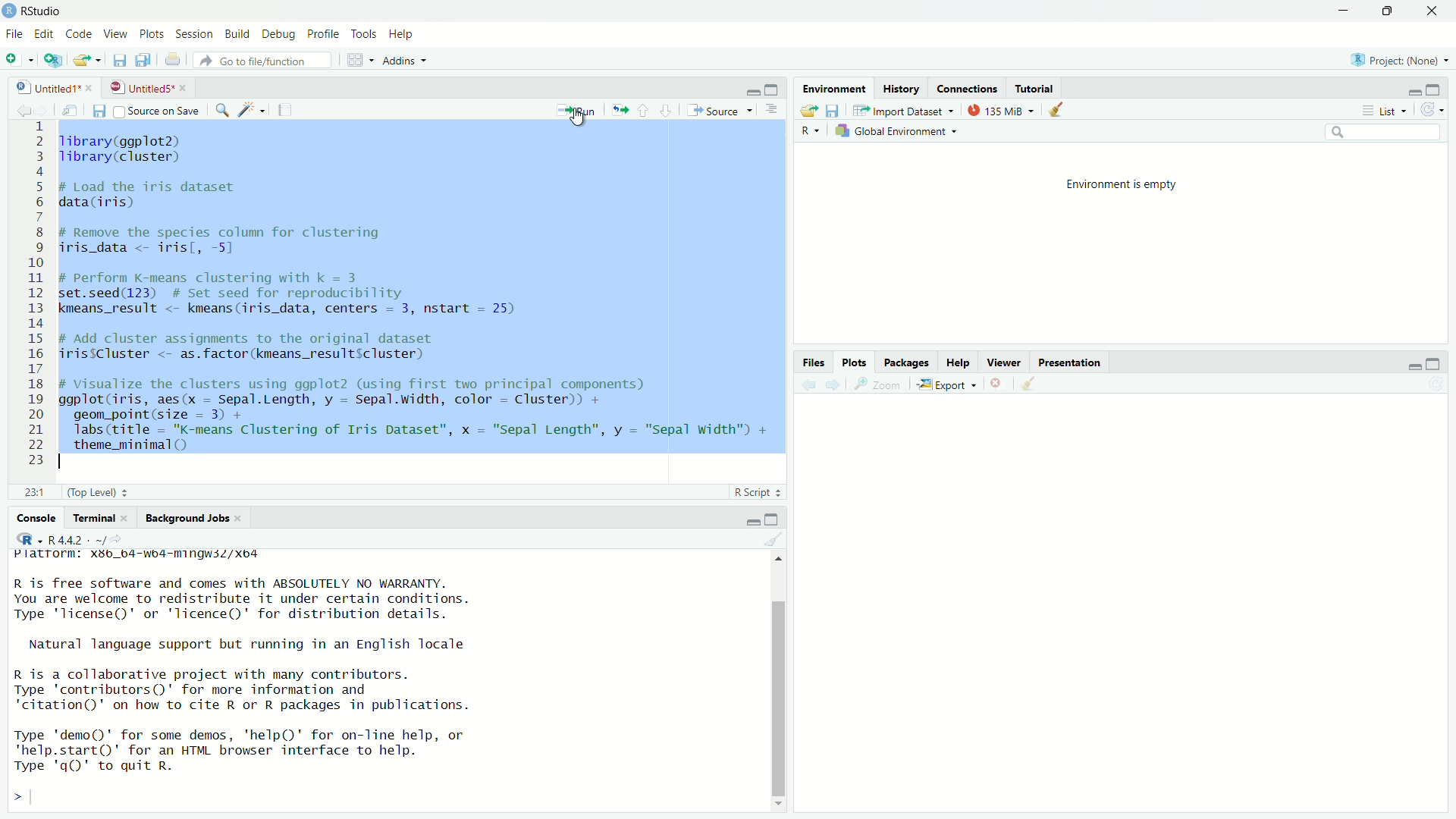 Image resolution: width=1456 pixels, height=819 pixels. What do you see at coordinates (757, 490) in the screenshot?
I see `R script` at bounding box center [757, 490].